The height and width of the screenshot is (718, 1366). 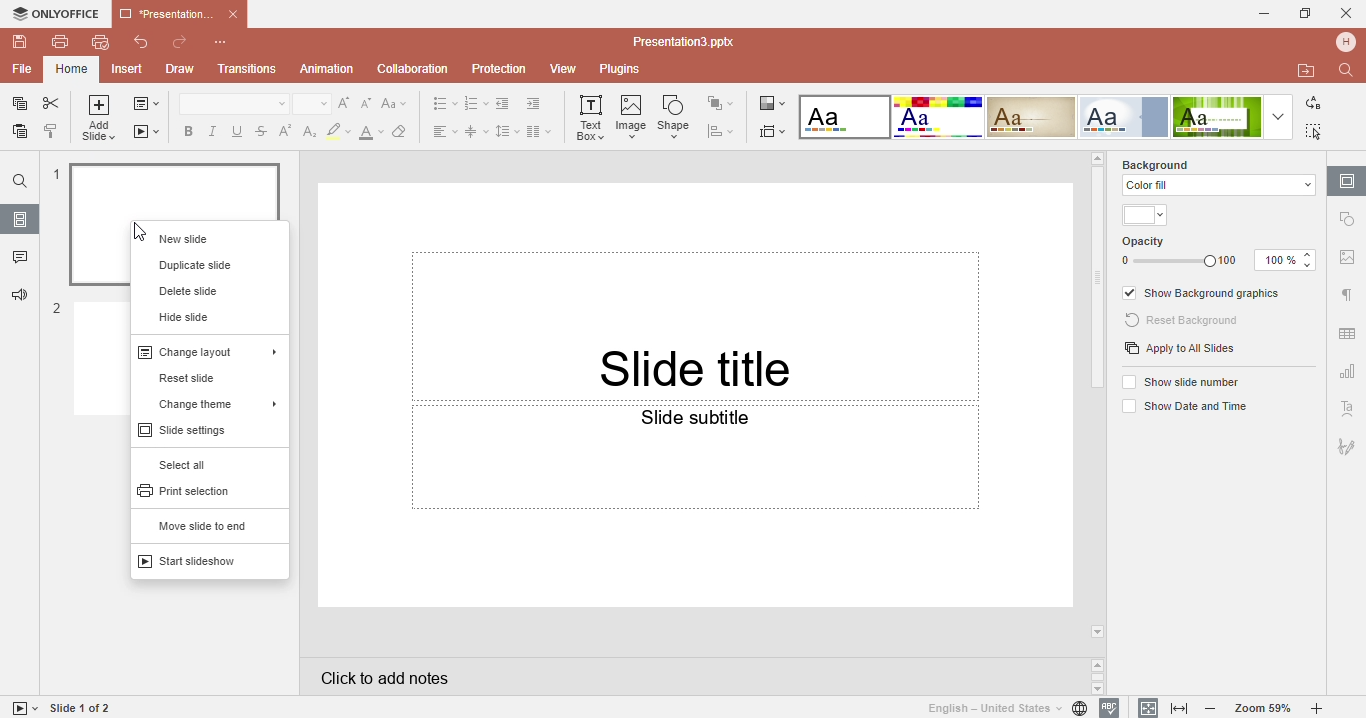 I want to click on Zoom out, so click(x=1215, y=710).